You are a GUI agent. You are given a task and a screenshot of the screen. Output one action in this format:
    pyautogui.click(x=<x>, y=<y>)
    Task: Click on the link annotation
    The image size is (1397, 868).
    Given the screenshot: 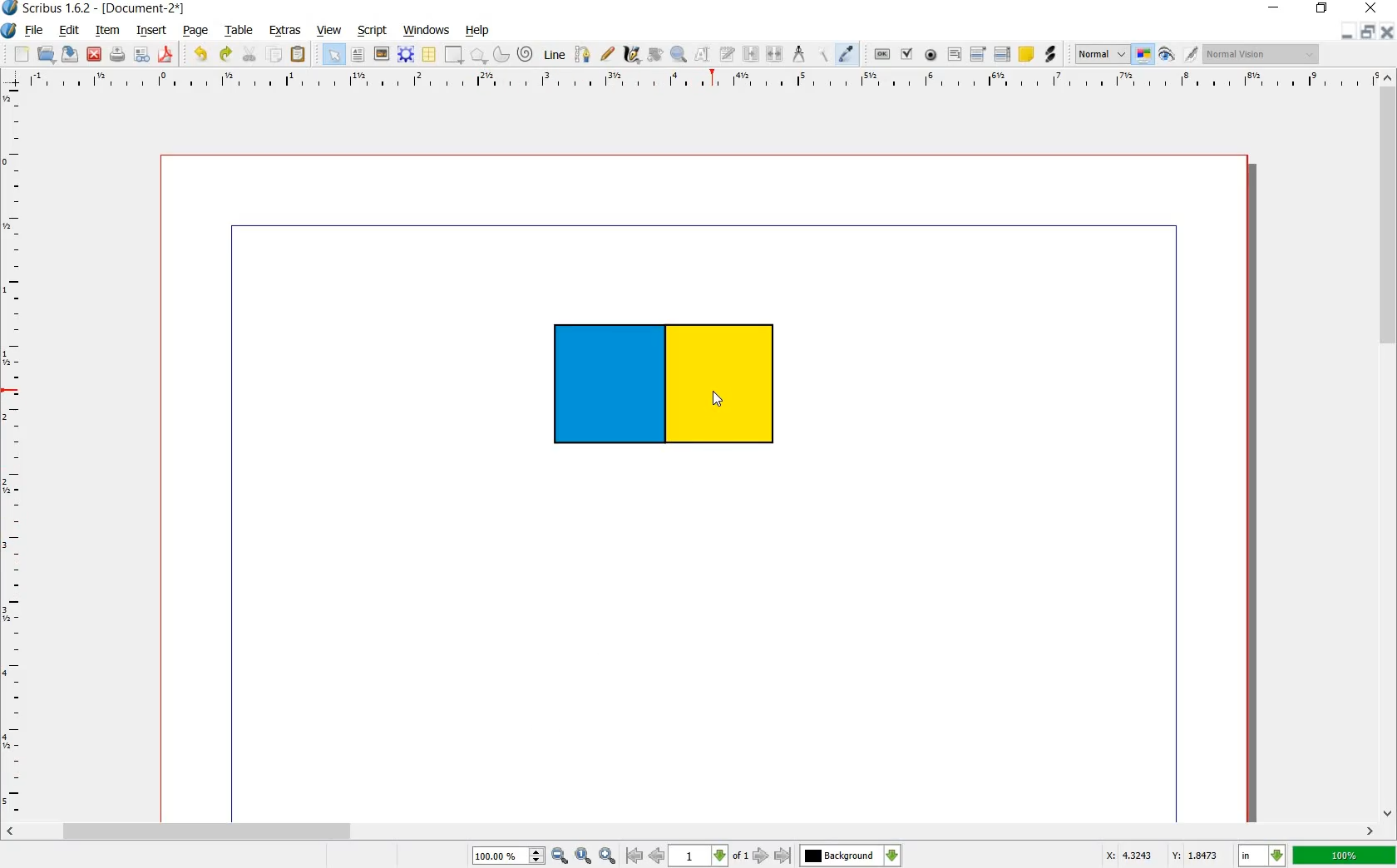 What is the action you would take?
    pyautogui.click(x=1051, y=55)
    